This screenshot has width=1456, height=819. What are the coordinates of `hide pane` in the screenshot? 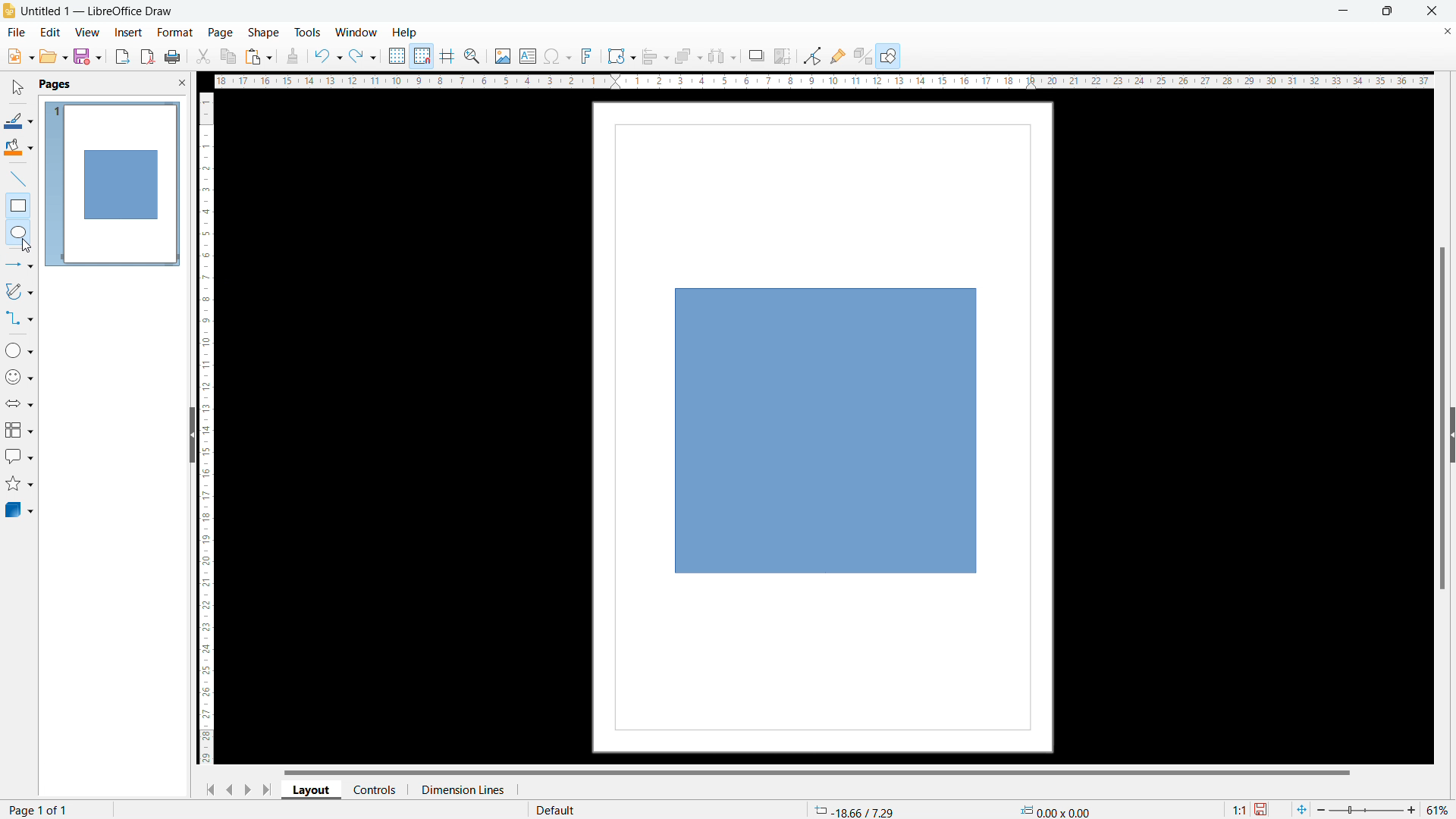 It's located at (191, 435).